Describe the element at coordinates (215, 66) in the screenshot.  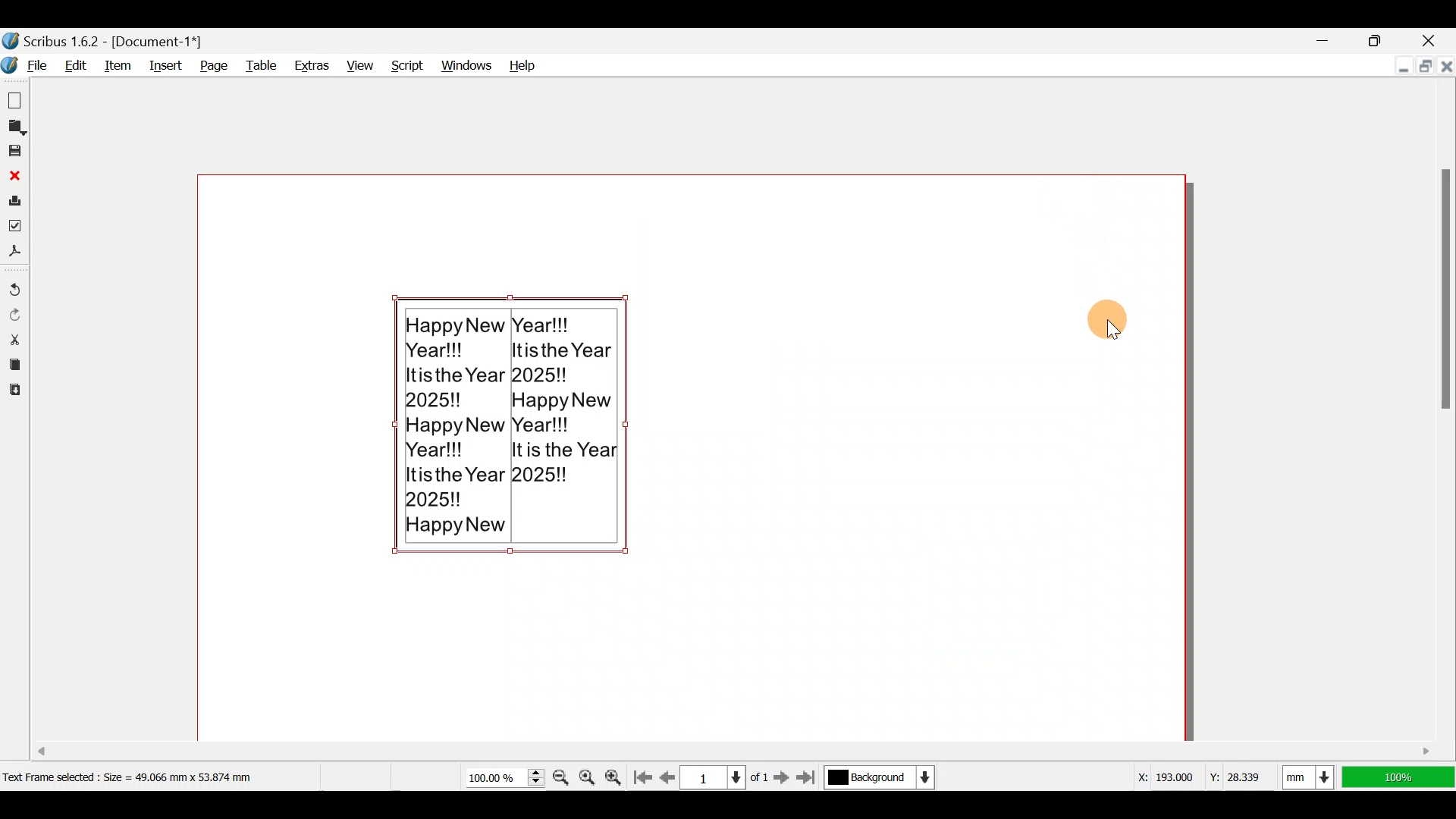
I see `Page` at that location.